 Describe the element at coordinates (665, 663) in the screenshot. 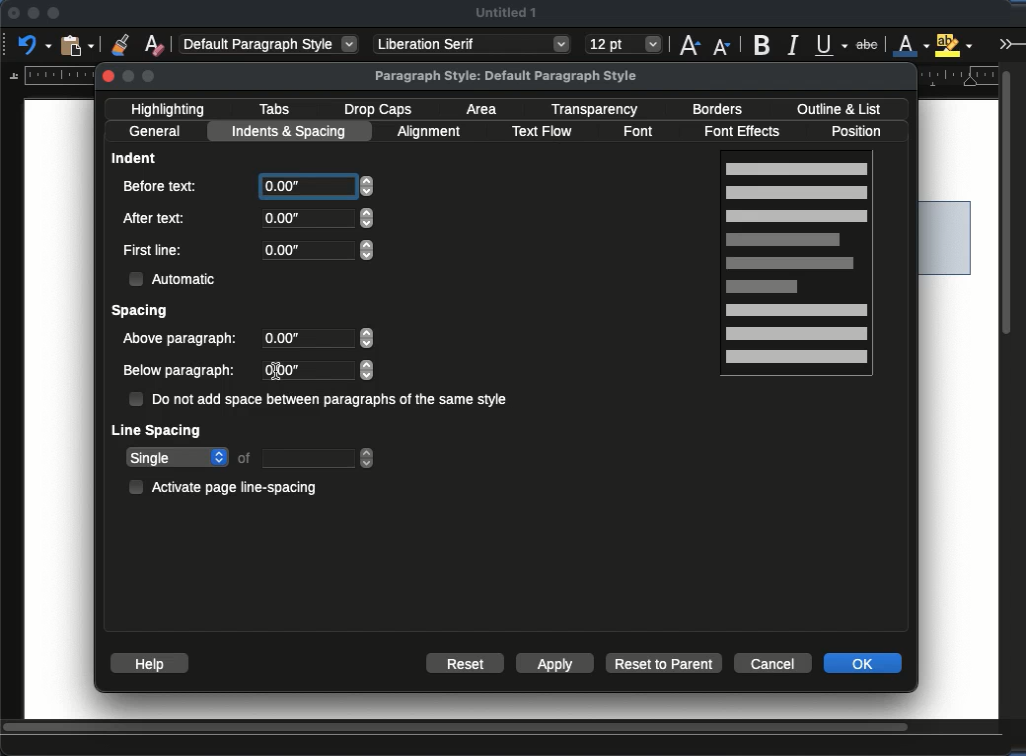

I see `reset to parent` at that location.